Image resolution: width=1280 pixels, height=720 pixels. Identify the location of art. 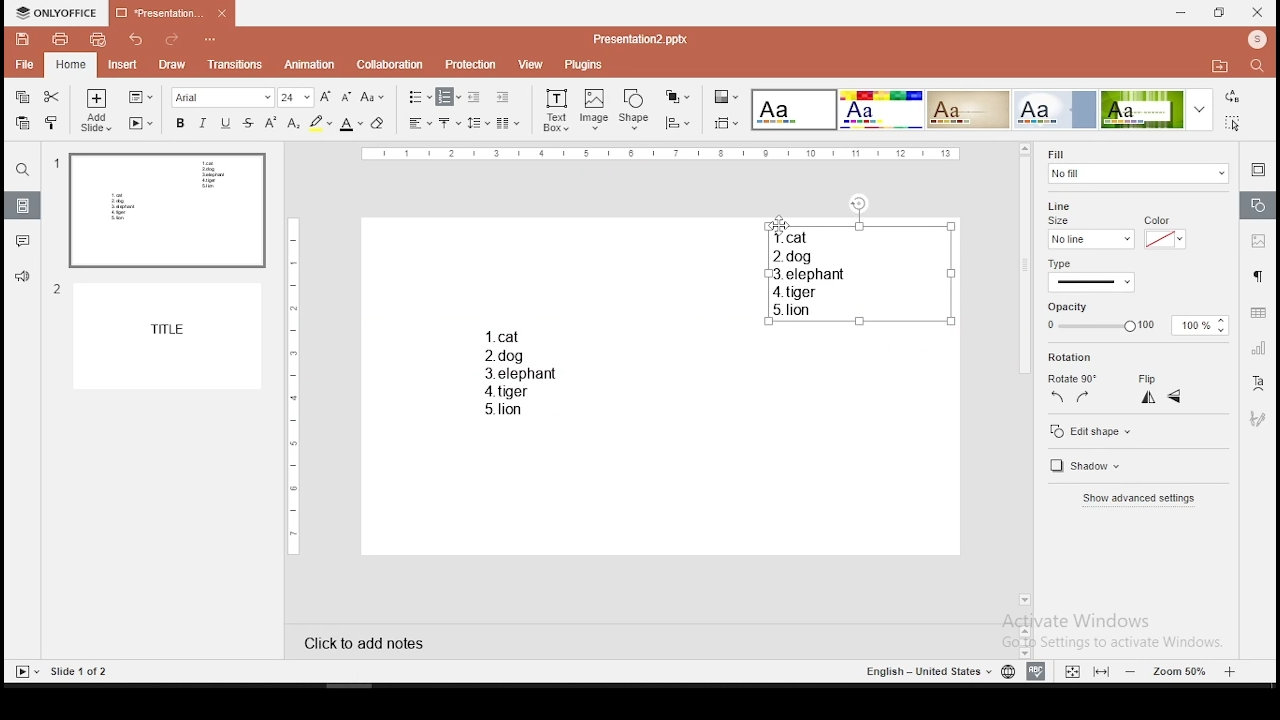
(1258, 423).